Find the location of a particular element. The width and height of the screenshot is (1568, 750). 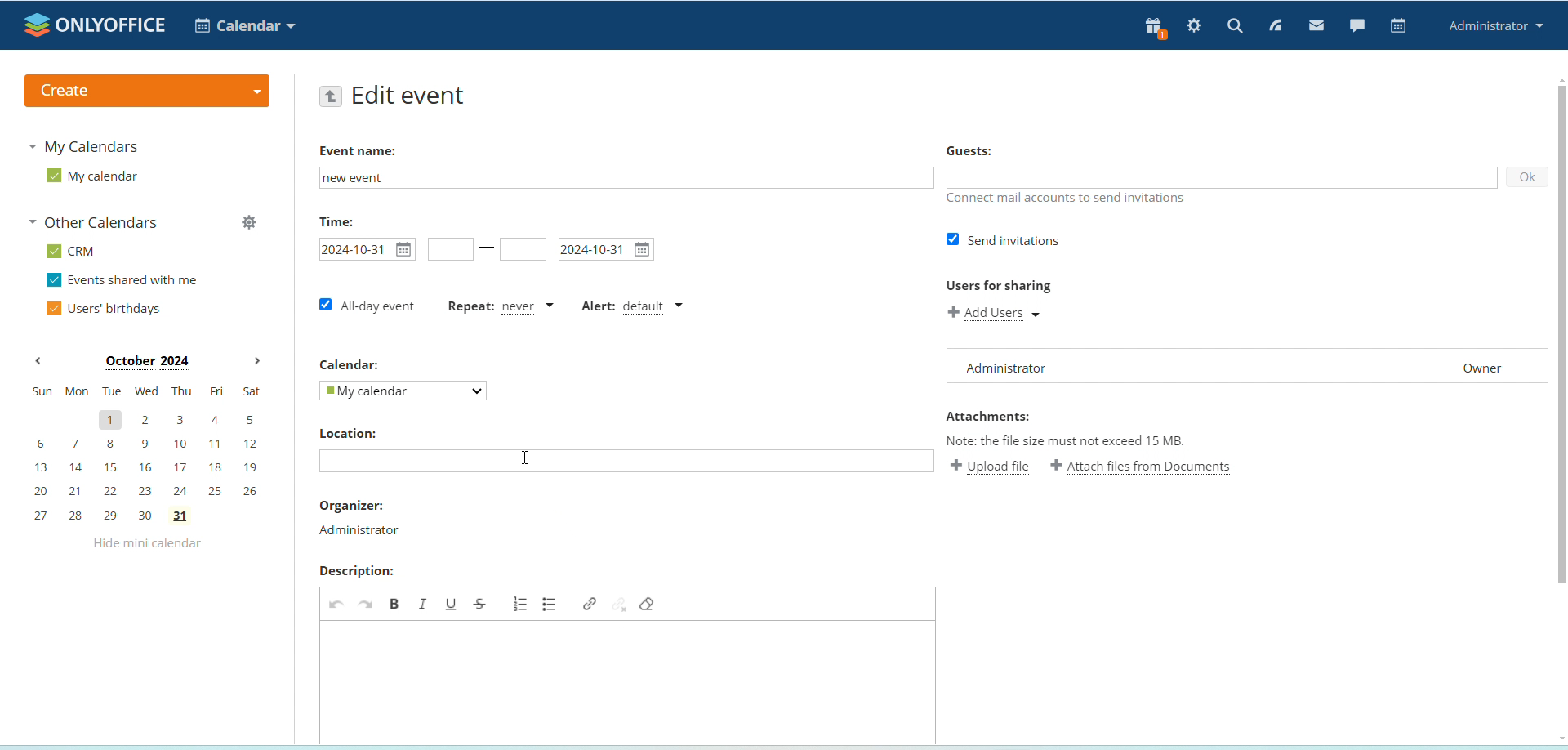

alert type is located at coordinates (635, 306).